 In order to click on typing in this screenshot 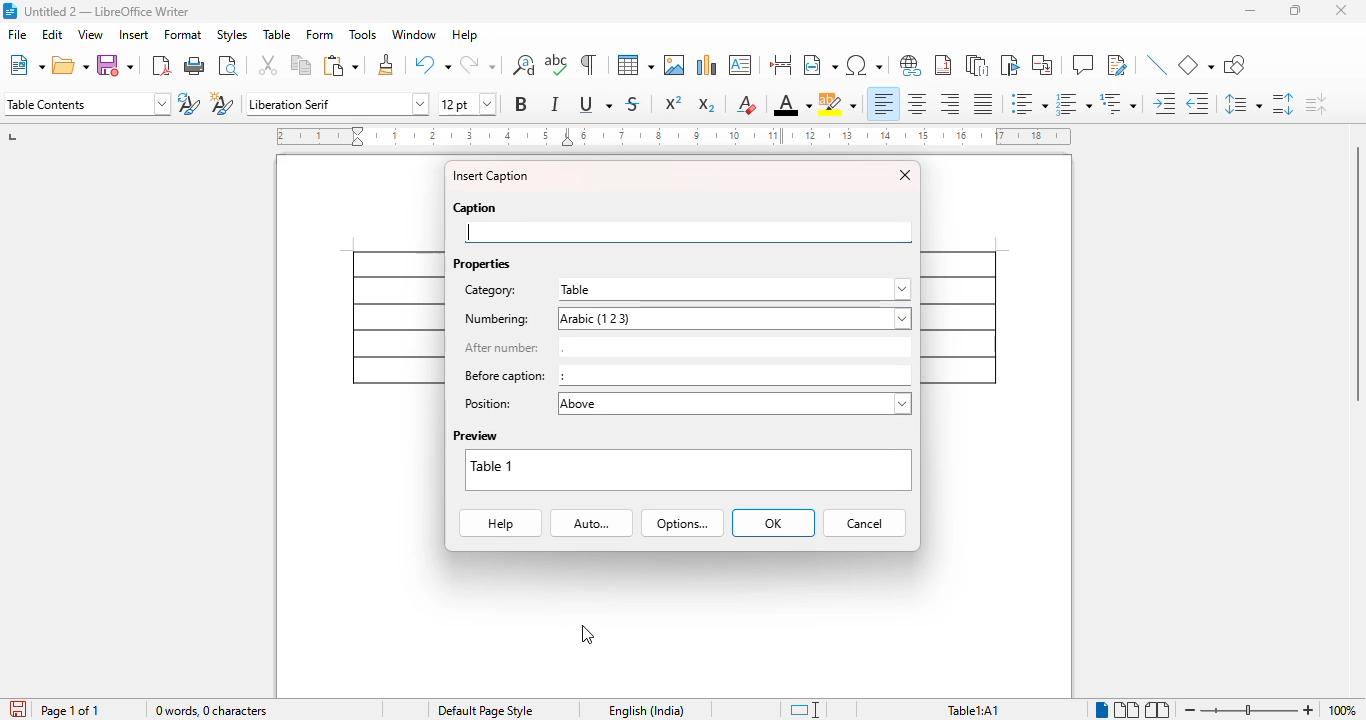, I will do `click(468, 232)`.